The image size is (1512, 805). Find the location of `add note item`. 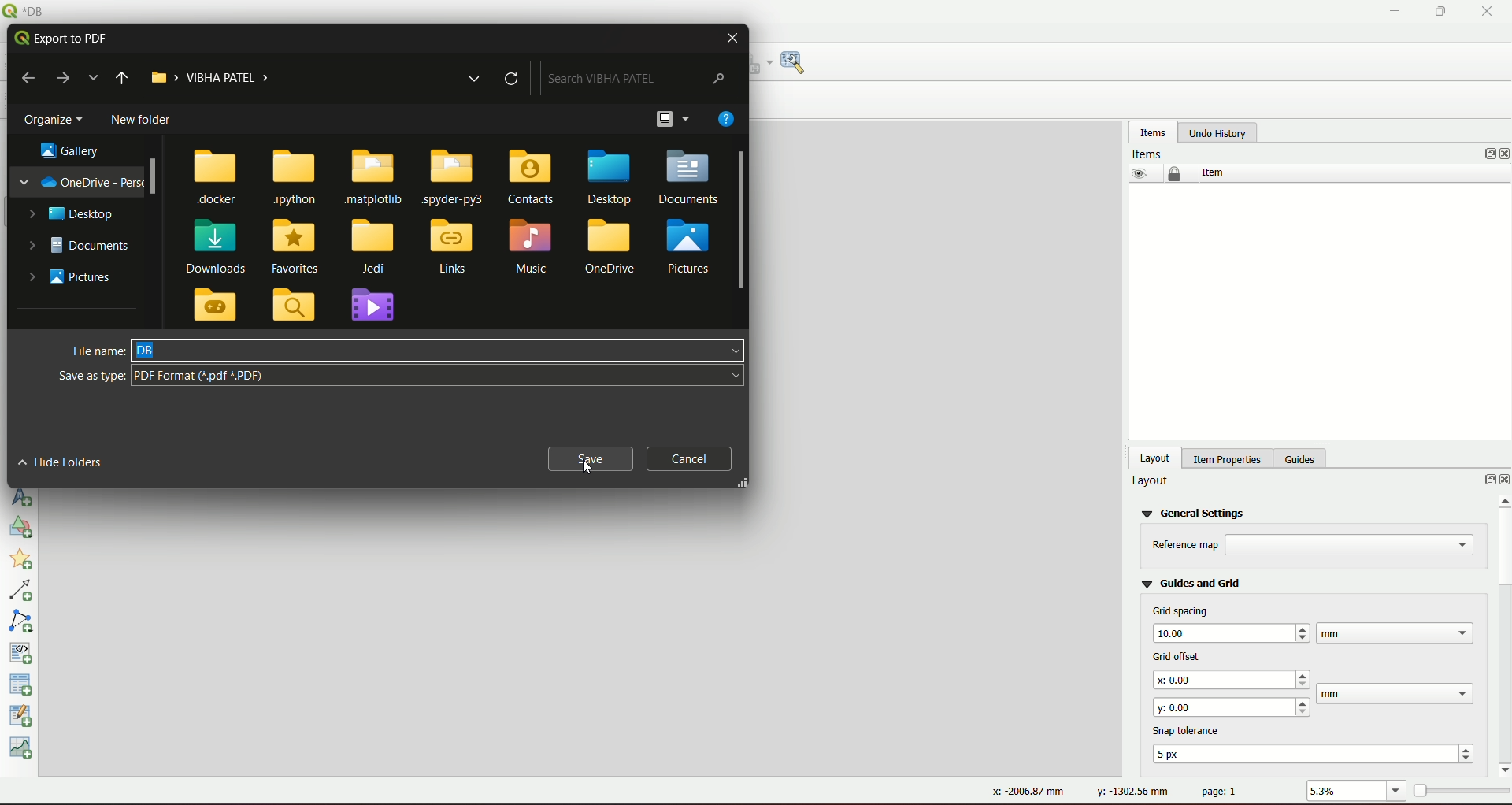

add note item is located at coordinates (23, 620).